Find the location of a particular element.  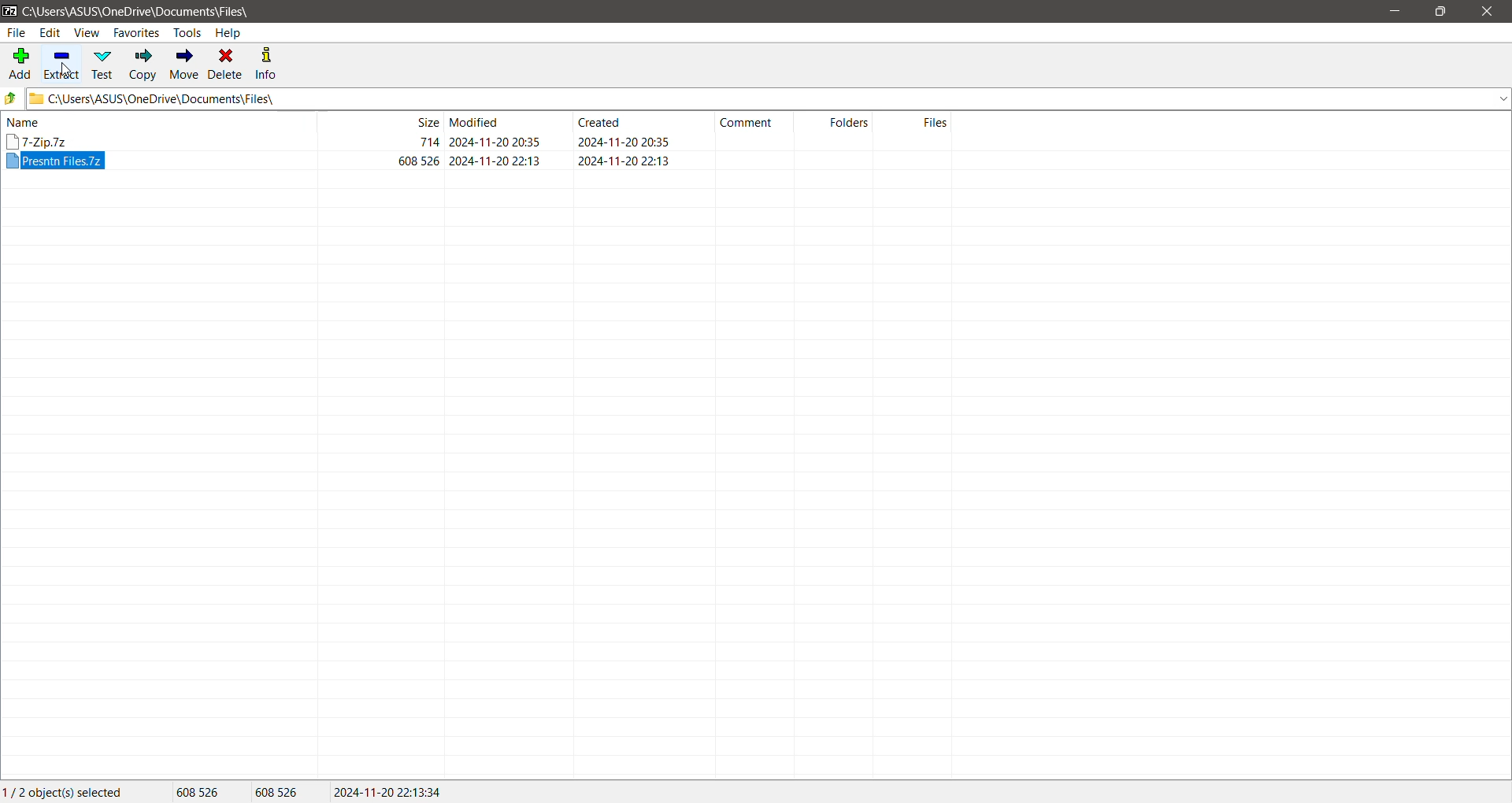

created date & time is located at coordinates (624, 160).